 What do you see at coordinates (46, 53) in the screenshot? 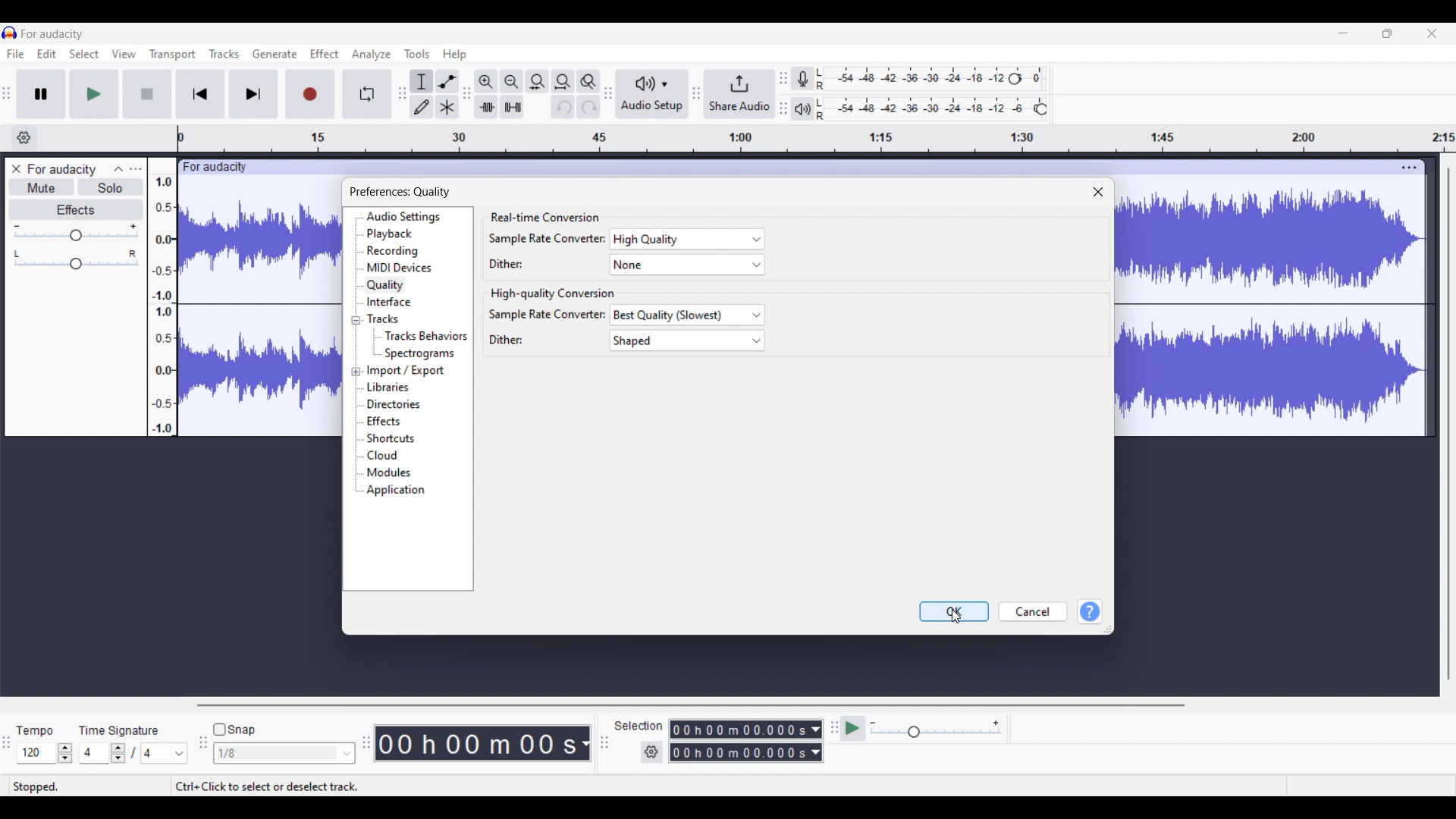
I see `Edit menu` at bounding box center [46, 53].